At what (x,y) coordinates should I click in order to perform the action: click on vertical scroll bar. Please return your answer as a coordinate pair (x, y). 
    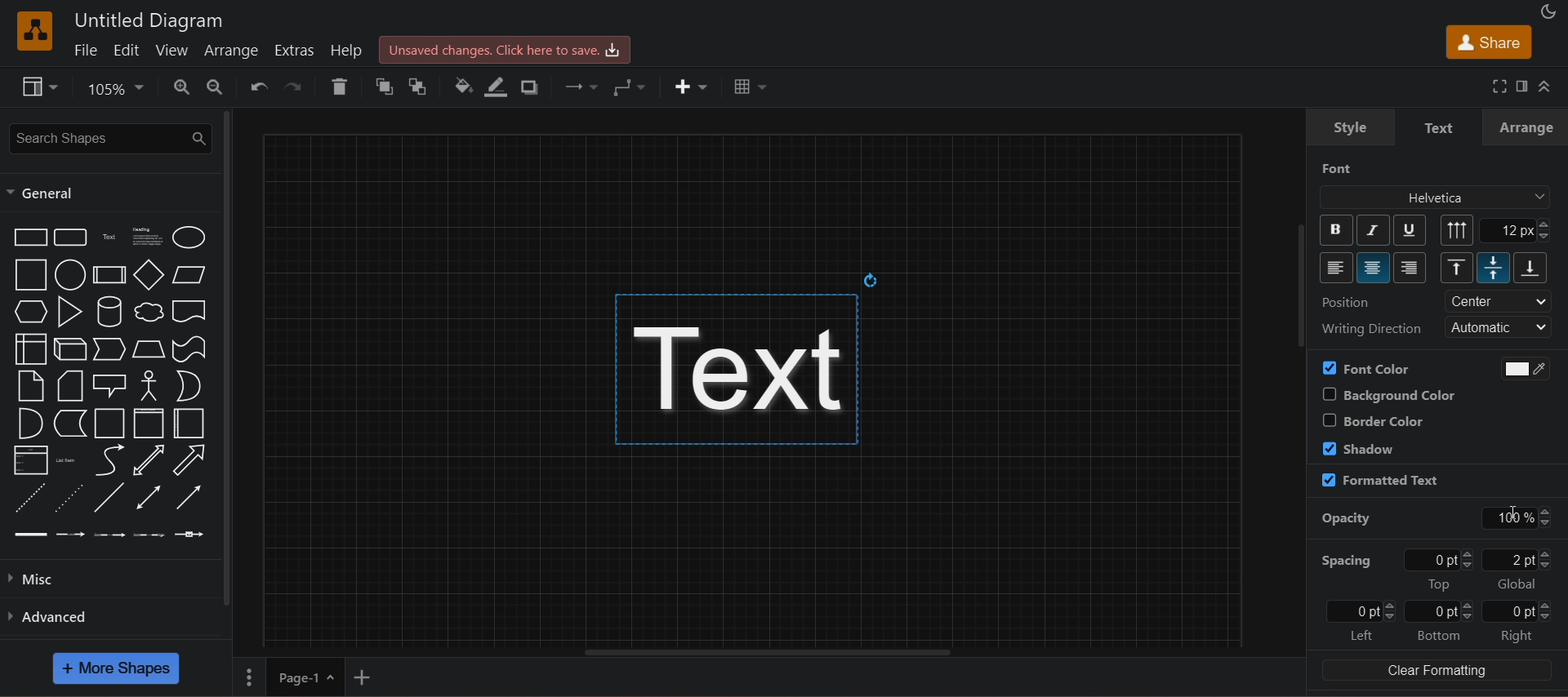
    Looking at the image, I should click on (1304, 290).